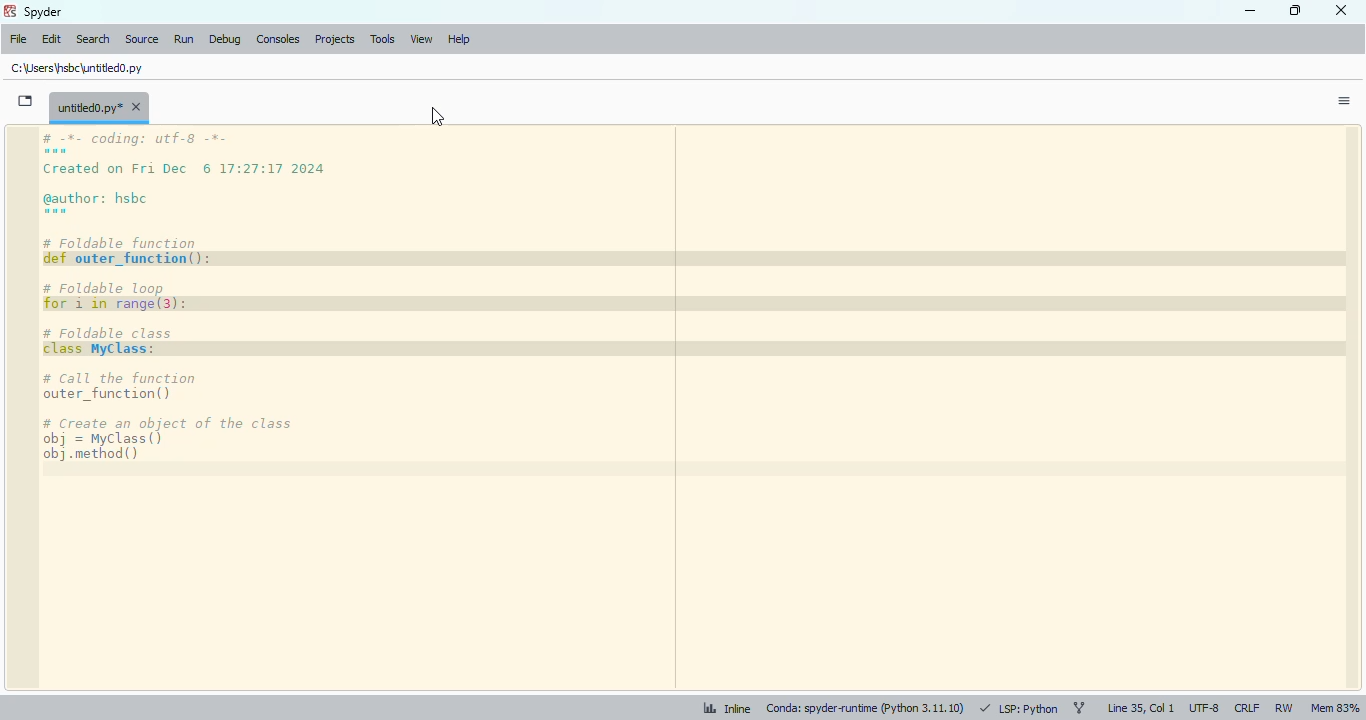 Image resolution: width=1366 pixels, height=720 pixels. Describe the element at coordinates (24, 101) in the screenshot. I see `browse tabs` at that location.